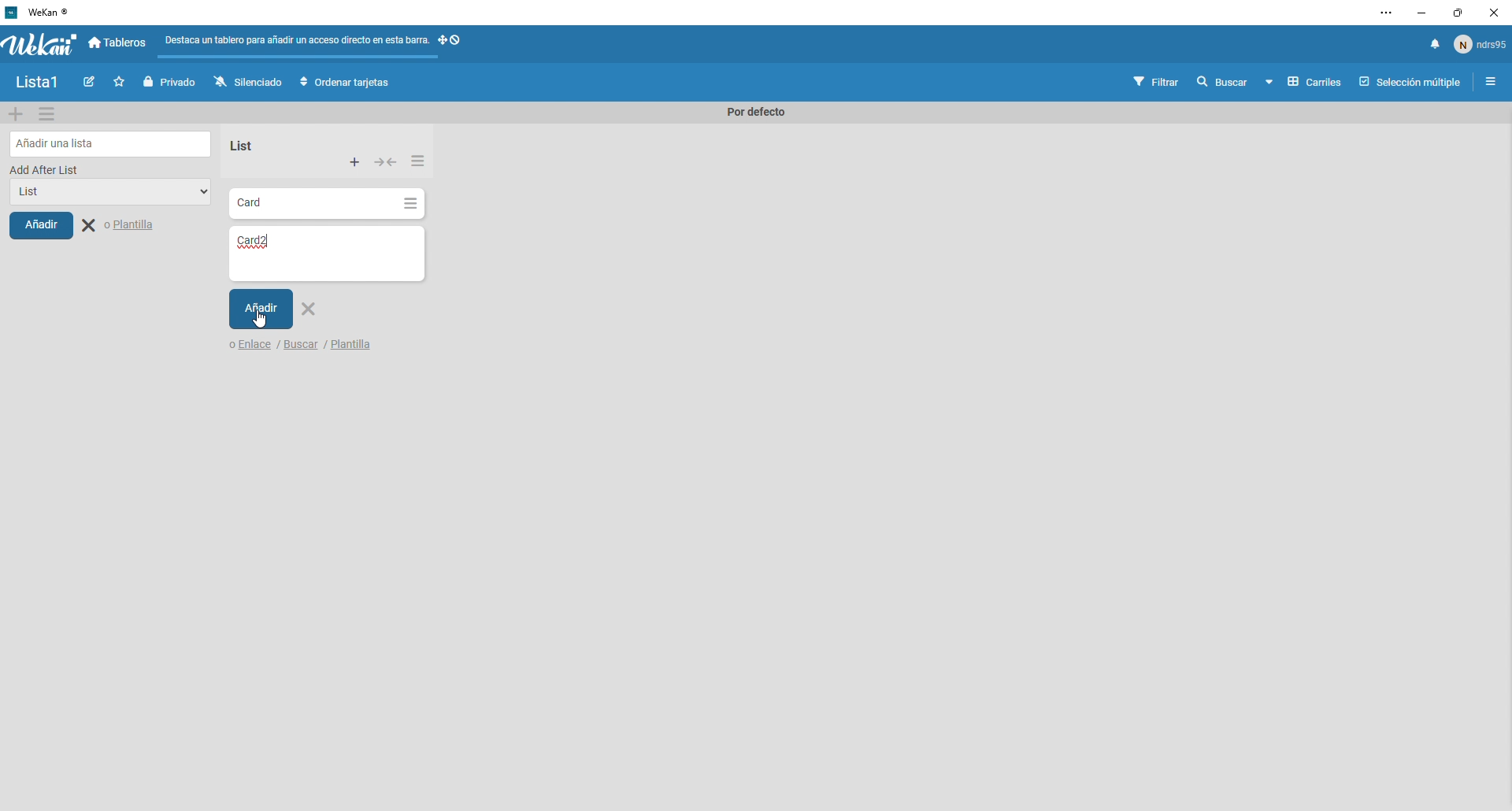  What do you see at coordinates (239, 146) in the screenshot?
I see `List` at bounding box center [239, 146].